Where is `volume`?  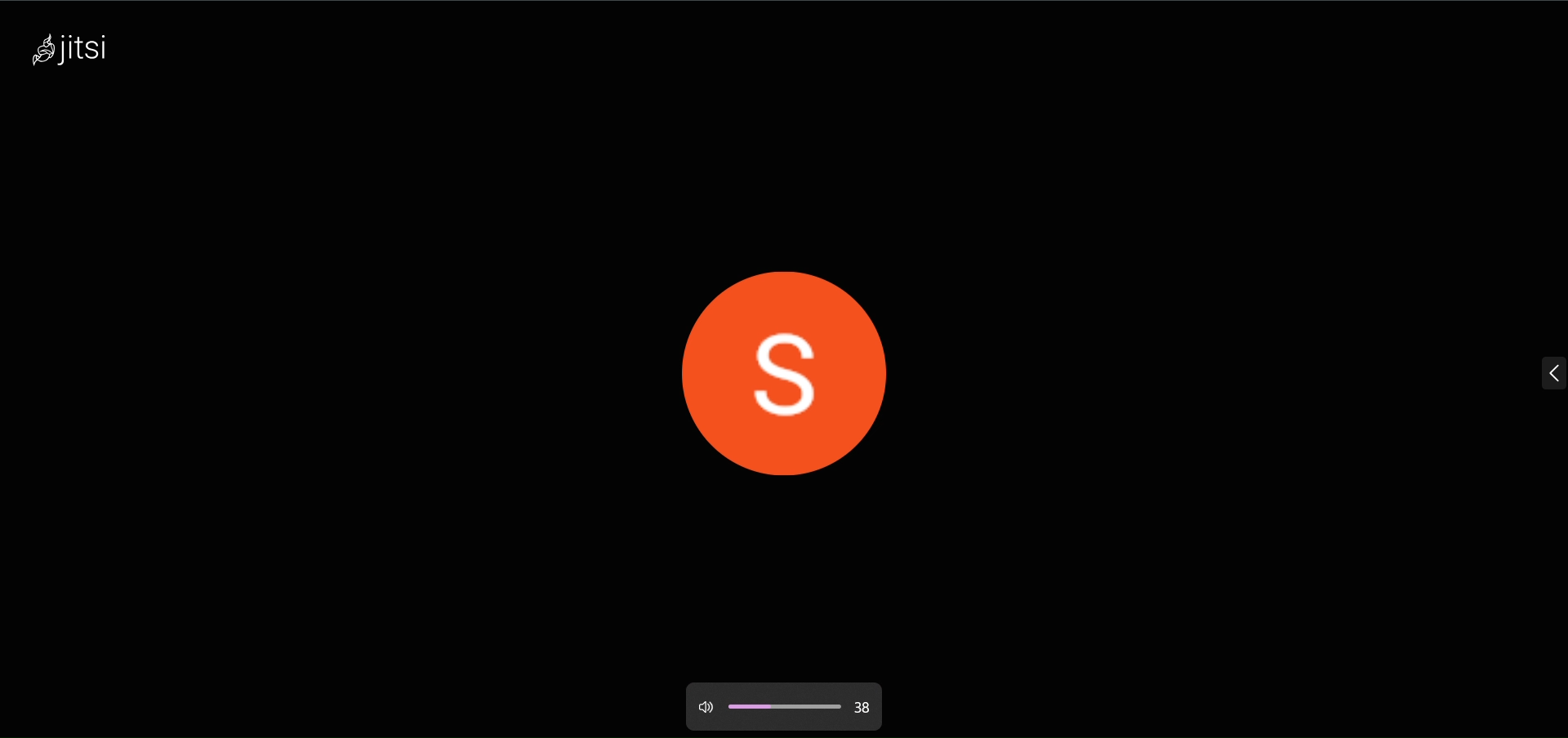
volume is located at coordinates (781, 705).